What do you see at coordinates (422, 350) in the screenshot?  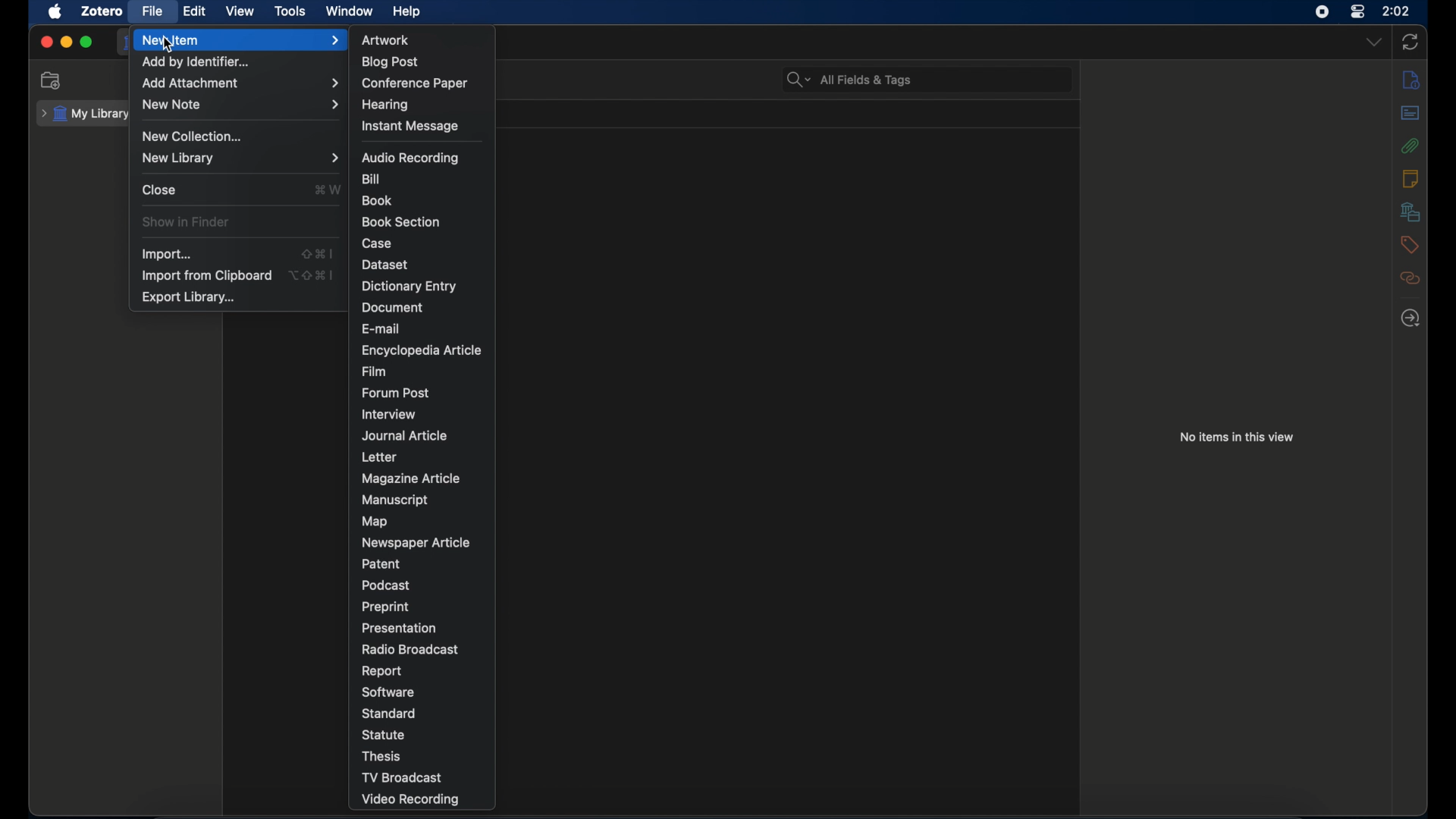 I see `encyclopedia article` at bounding box center [422, 350].